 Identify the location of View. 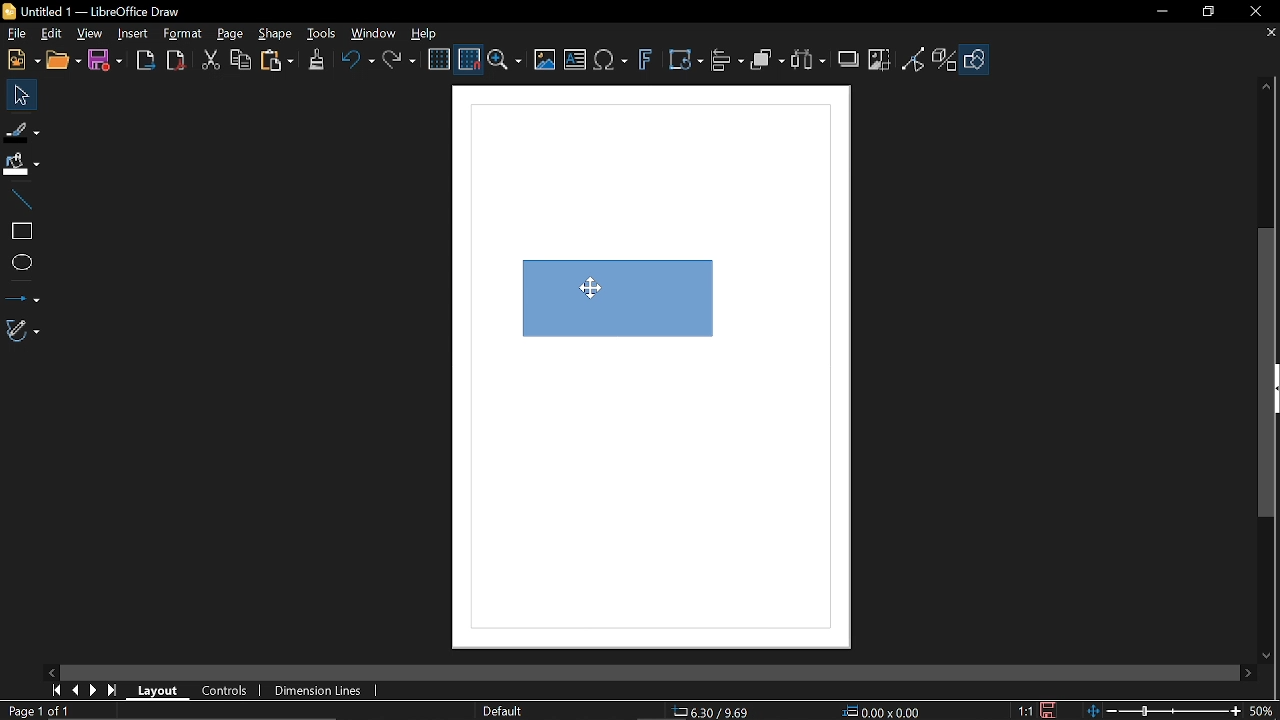
(87, 33).